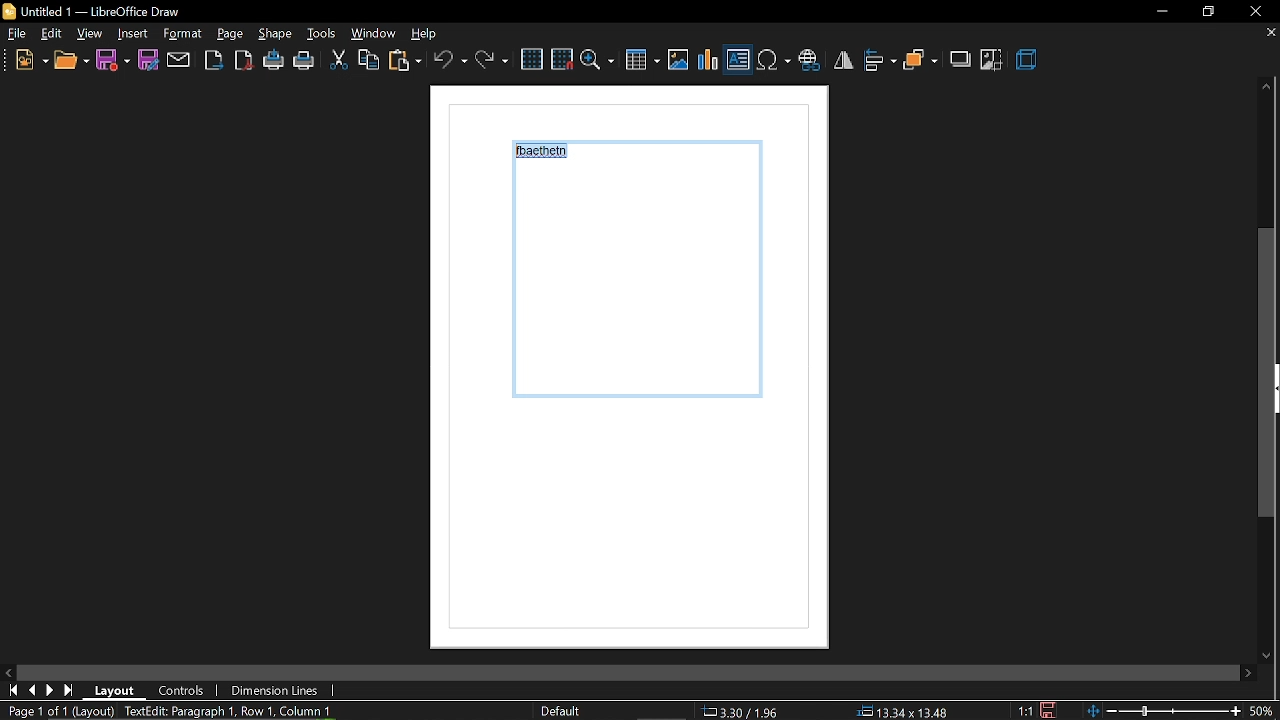 The image size is (1280, 720). What do you see at coordinates (276, 33) in the screenshot?
I see `page` at bounding box center [276, 33].